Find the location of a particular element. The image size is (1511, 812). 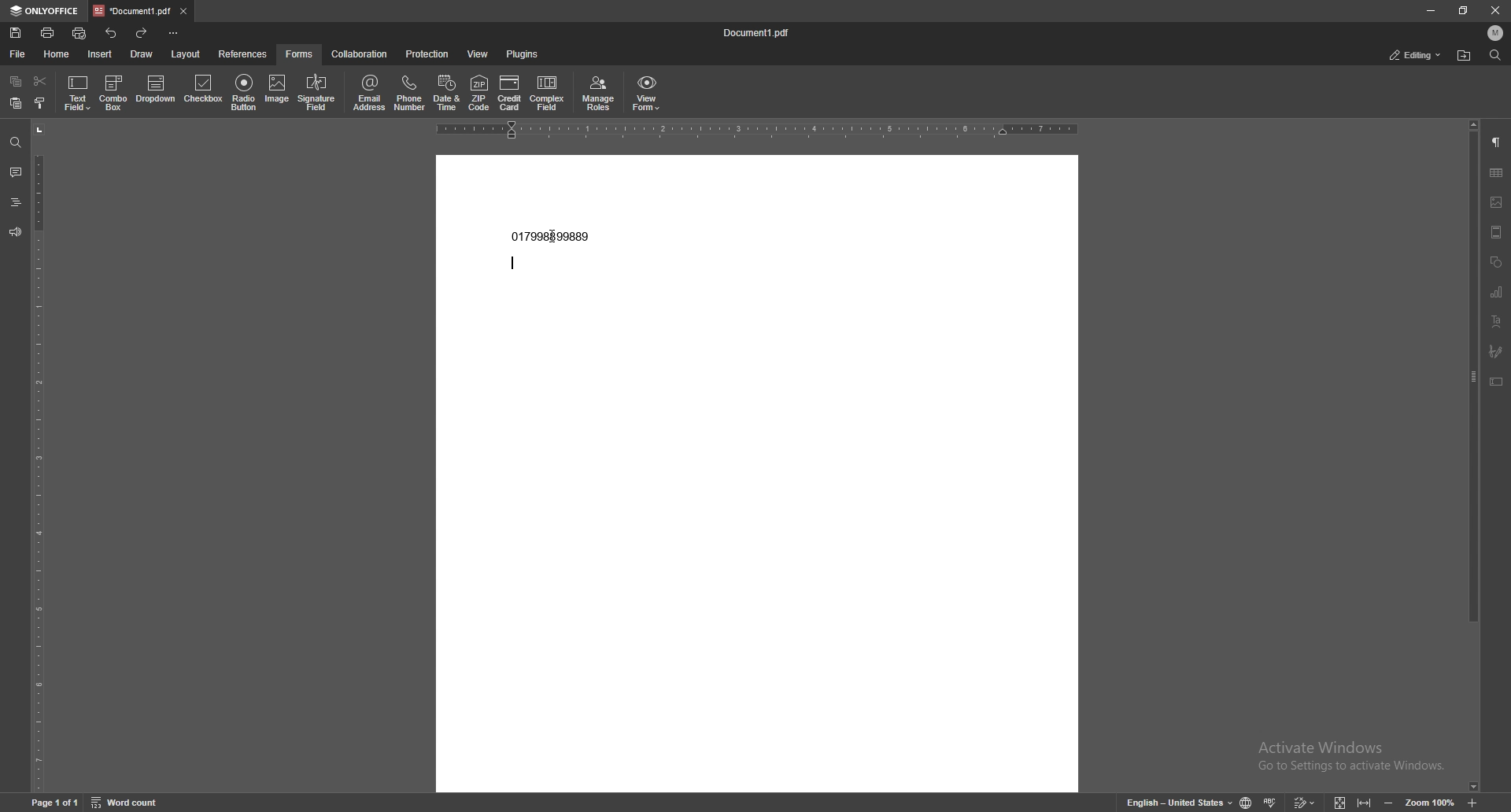

save is located at coordinates (16, 34).